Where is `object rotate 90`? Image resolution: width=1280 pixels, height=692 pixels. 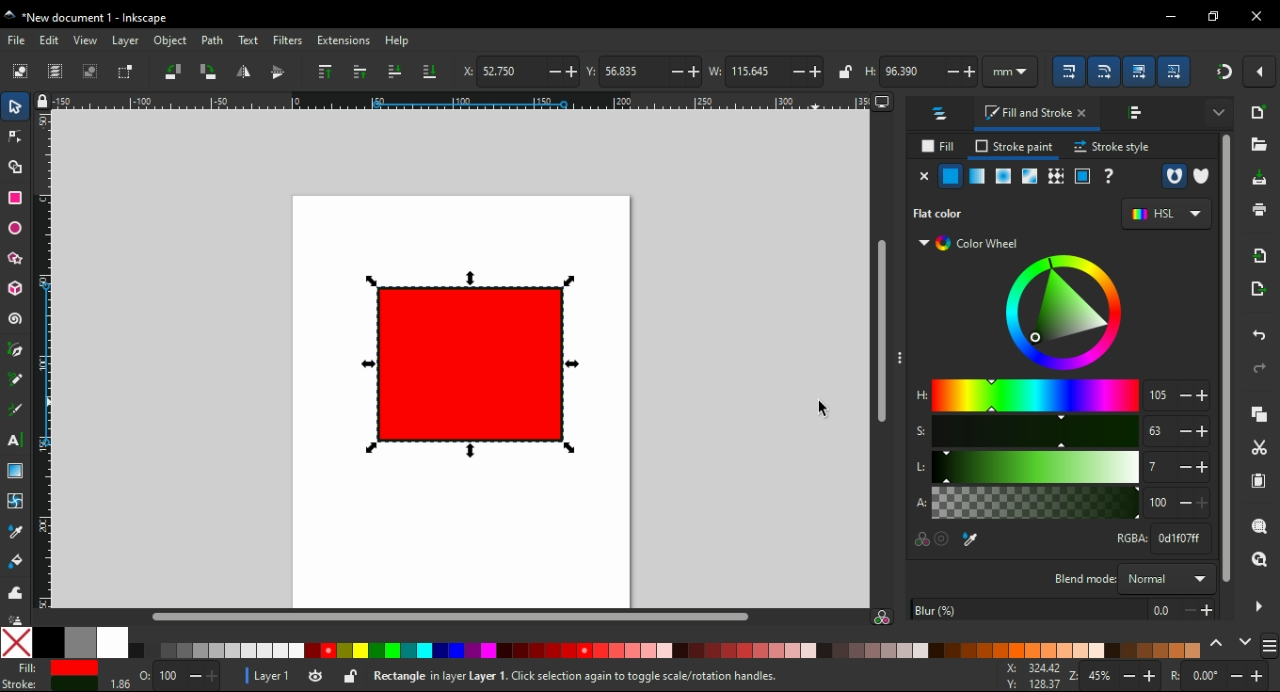 object rotate 90 is located at coordinates (208, 72).